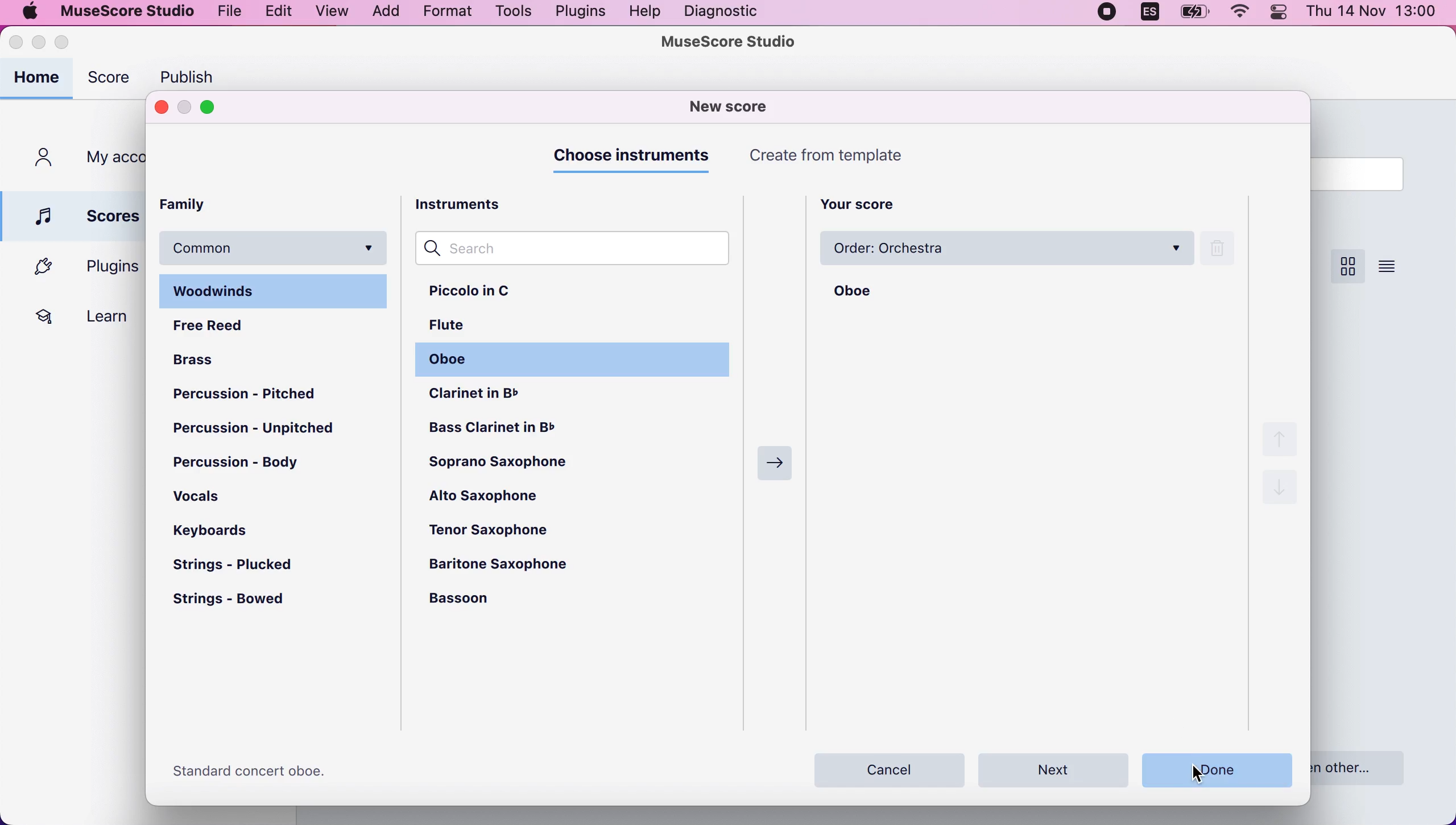 The height and width of the screenshot is (825, 1456). Describe the element at coordinates (471, 206) in the screenshot. I see `instruments` at that location.